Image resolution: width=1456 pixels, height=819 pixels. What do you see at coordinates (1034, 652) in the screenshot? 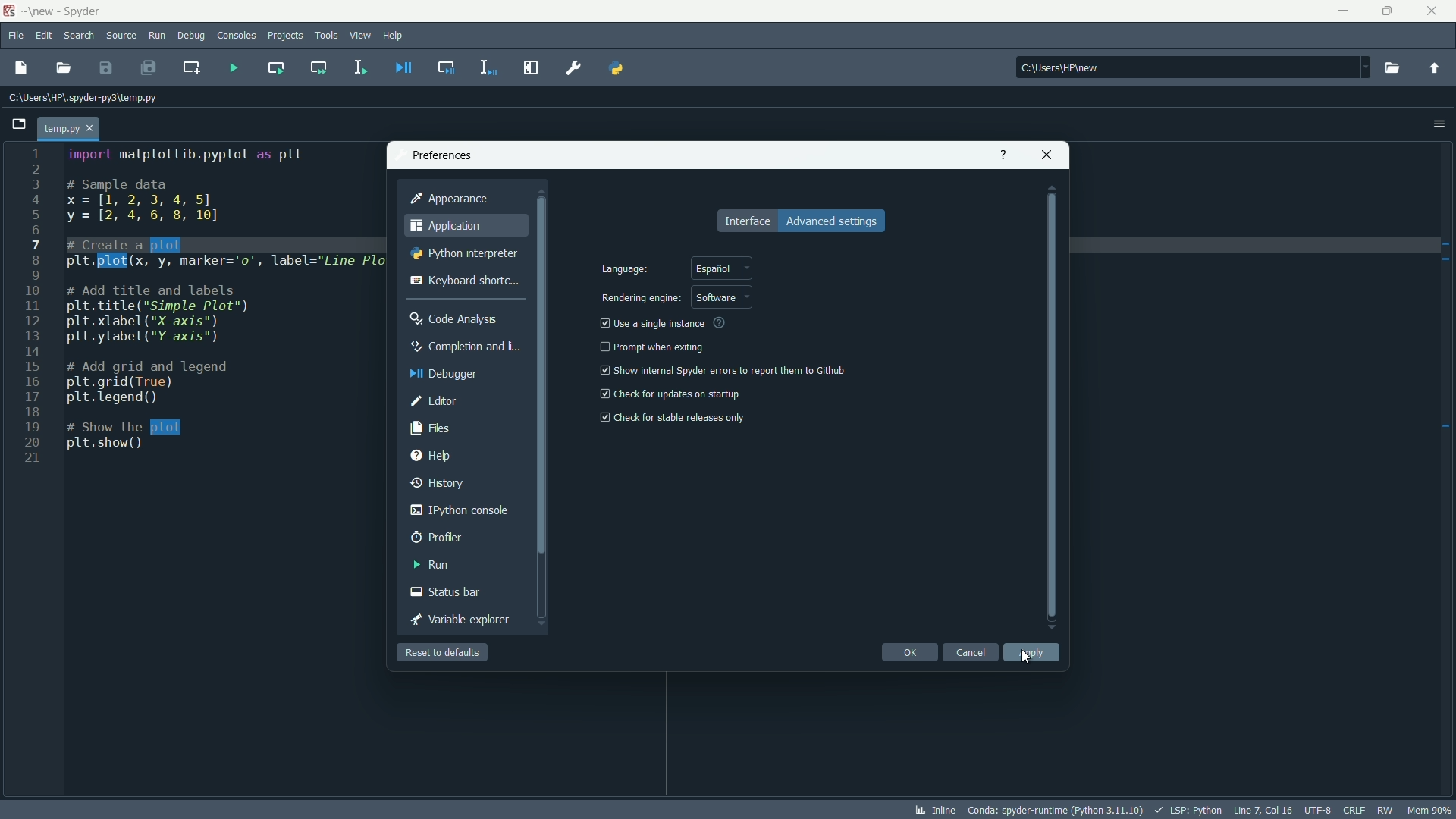
I see `apply` at bounding box center [1034, 652].